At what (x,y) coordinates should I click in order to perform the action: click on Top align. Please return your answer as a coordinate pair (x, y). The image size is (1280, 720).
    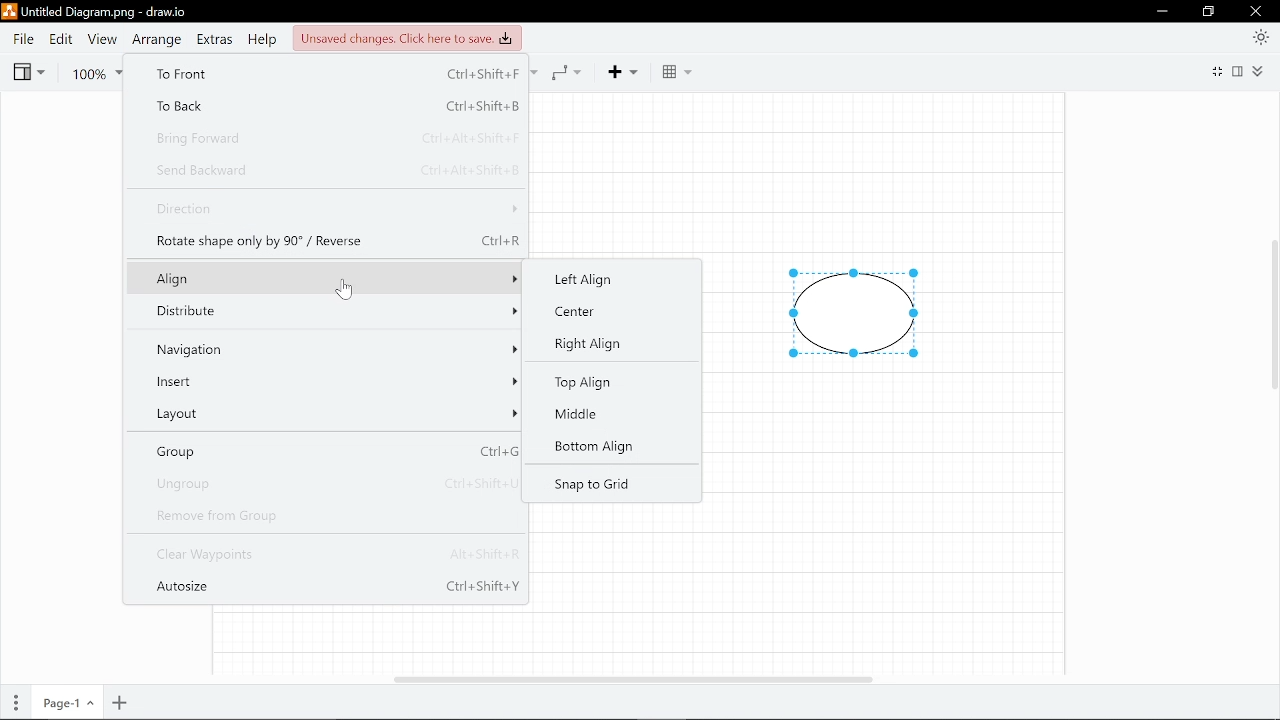
    Looking at the image, I should click on (595, 383).